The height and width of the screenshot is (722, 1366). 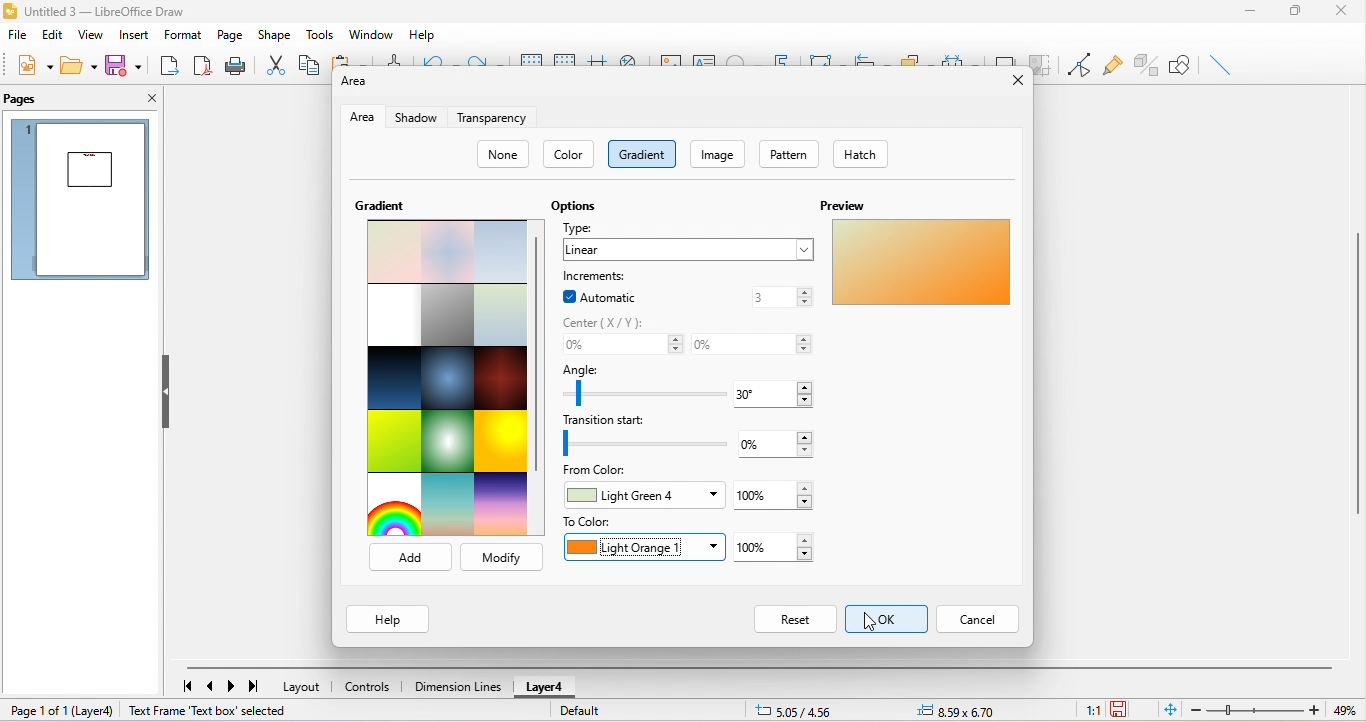 What do you see at coordinates (642, 394) in the screenshot?
I see `set angle` at bounding box center [642, 394].